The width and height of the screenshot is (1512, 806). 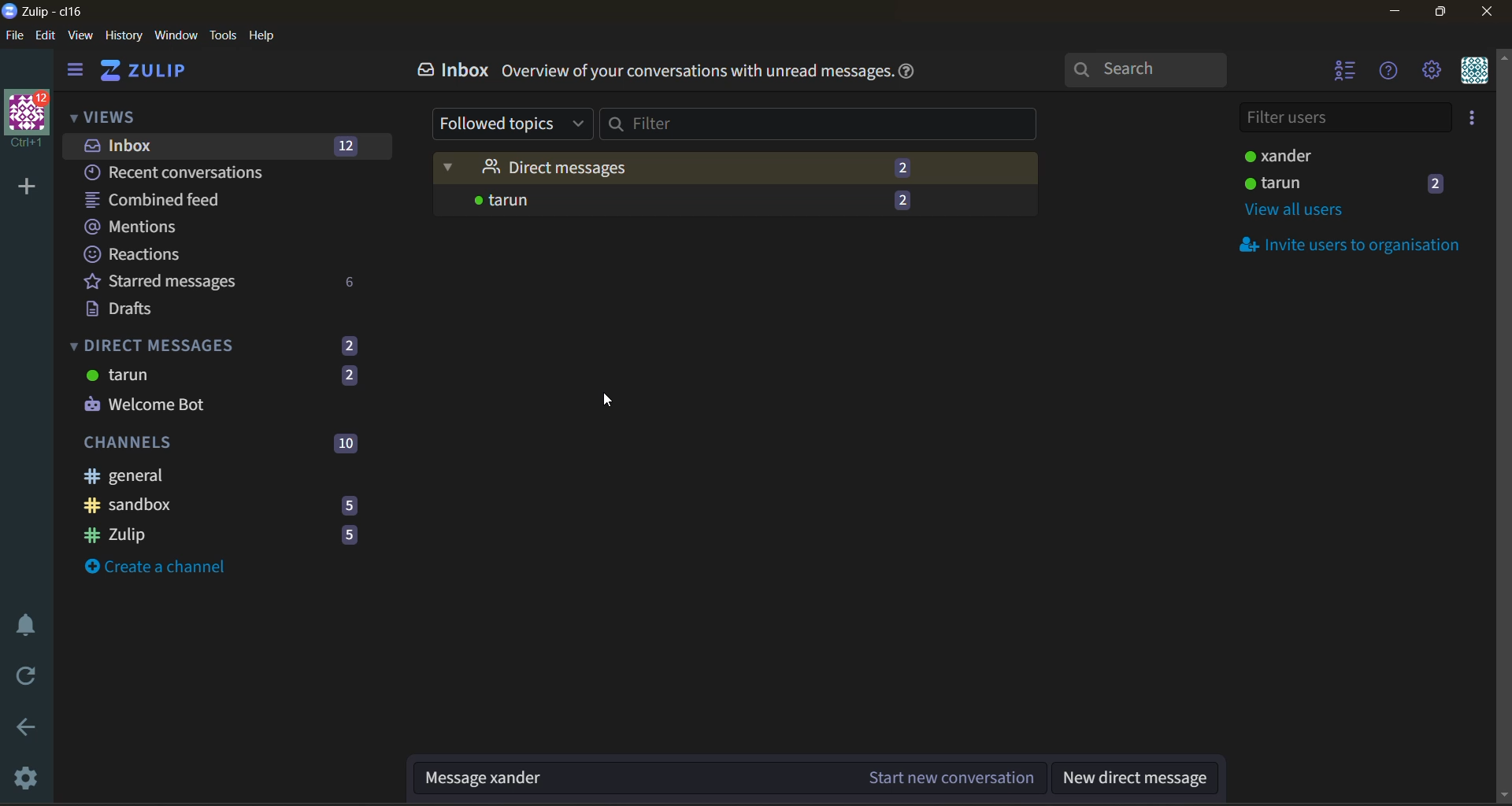 What do you see at coordinates (31, 778) in the screenshot?
I see `settings` at bounding box center [31, 778].